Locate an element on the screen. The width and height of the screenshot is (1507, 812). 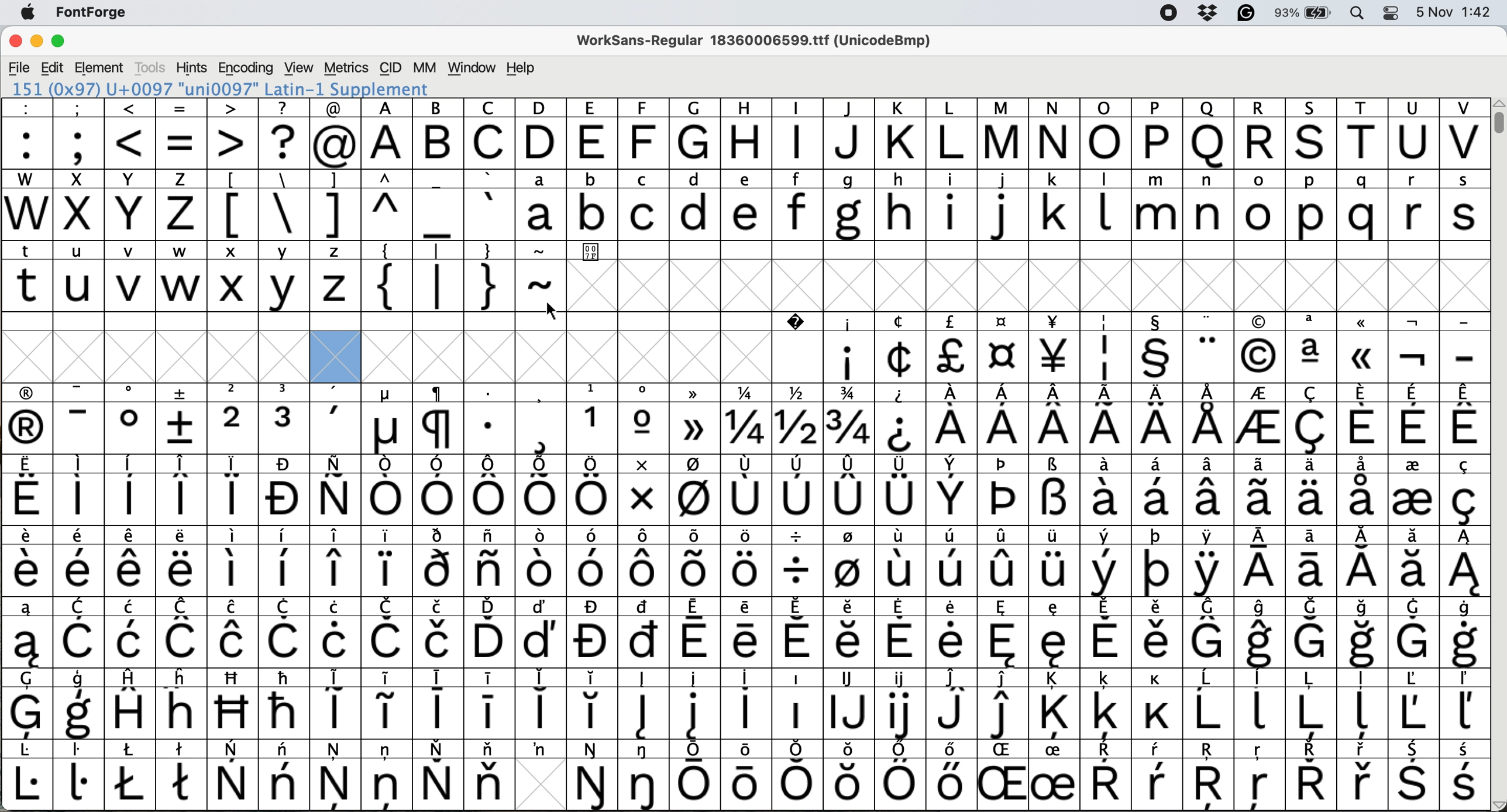
symbol is located at coordinates (1057, 347).